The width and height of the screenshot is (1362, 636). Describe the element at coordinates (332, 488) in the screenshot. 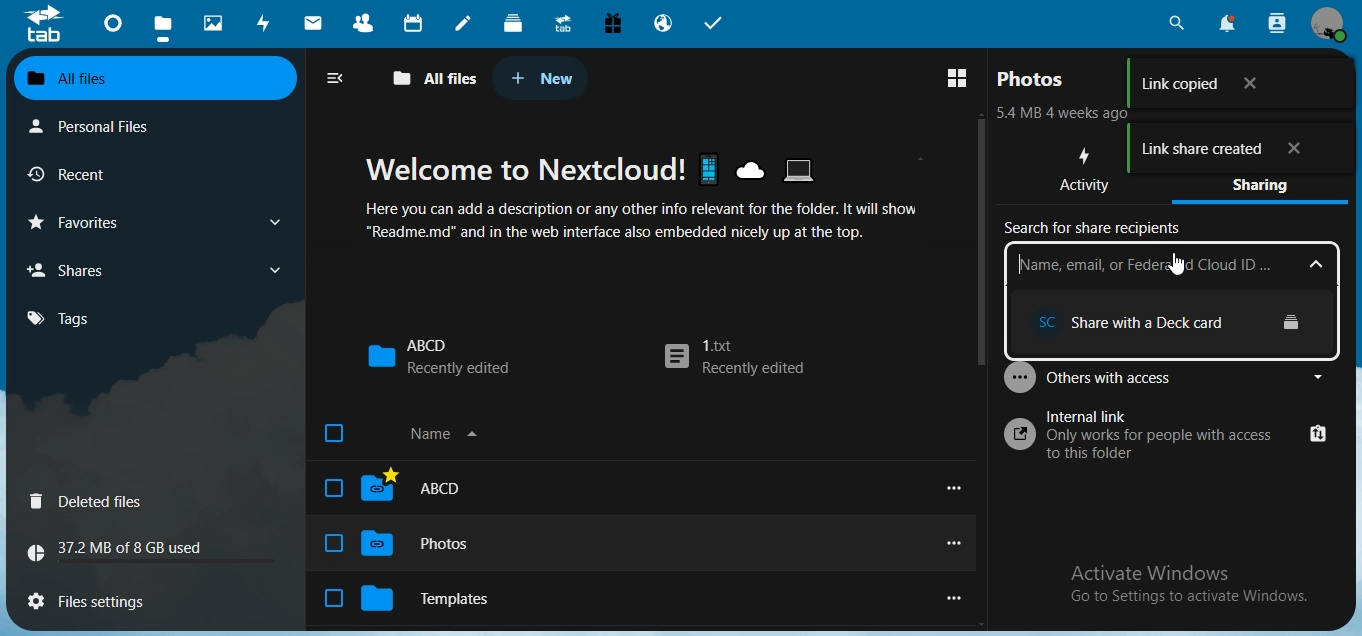

I see `check box` at that location.